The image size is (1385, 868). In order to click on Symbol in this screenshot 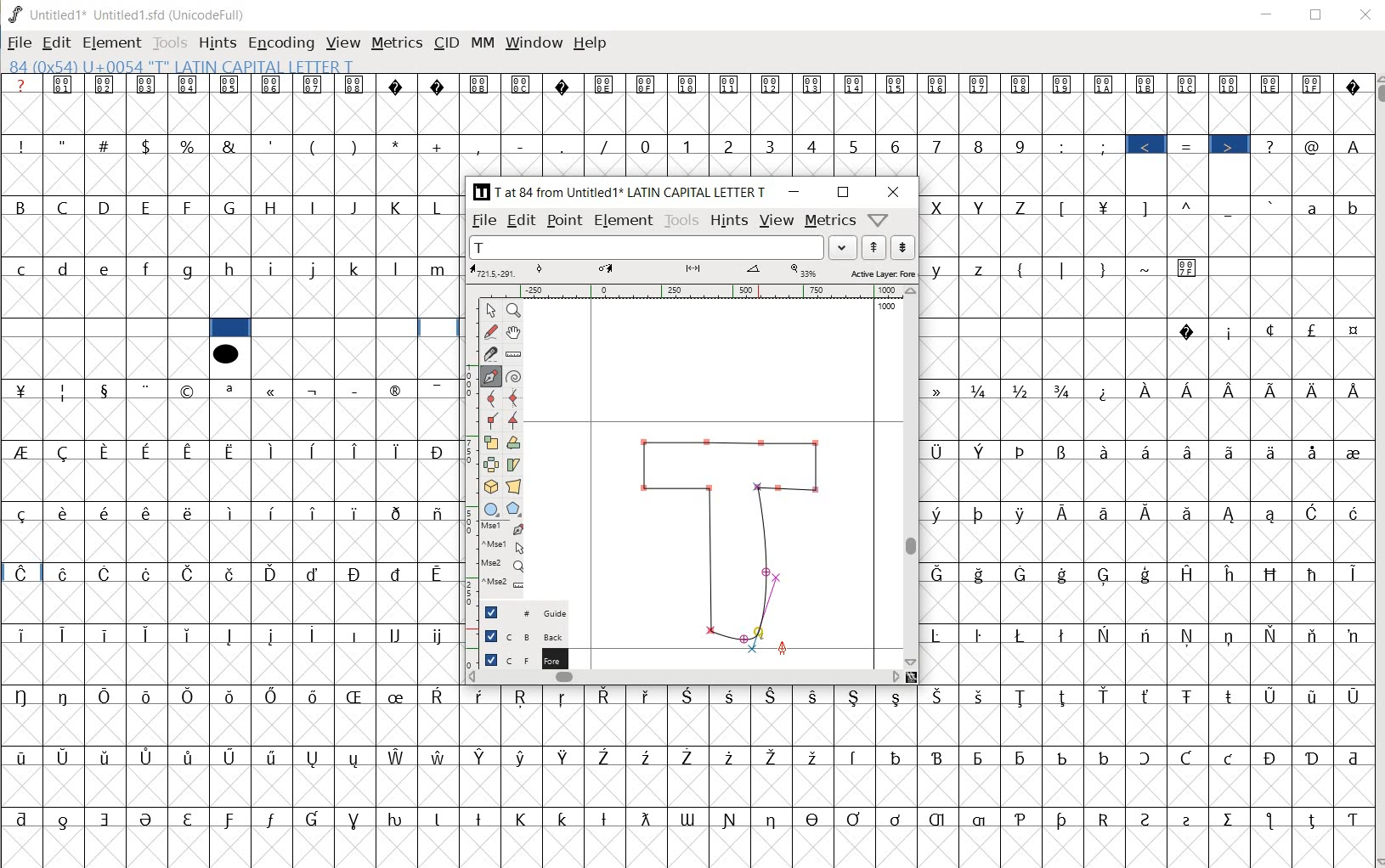, I will do `click(1273, 84)`.